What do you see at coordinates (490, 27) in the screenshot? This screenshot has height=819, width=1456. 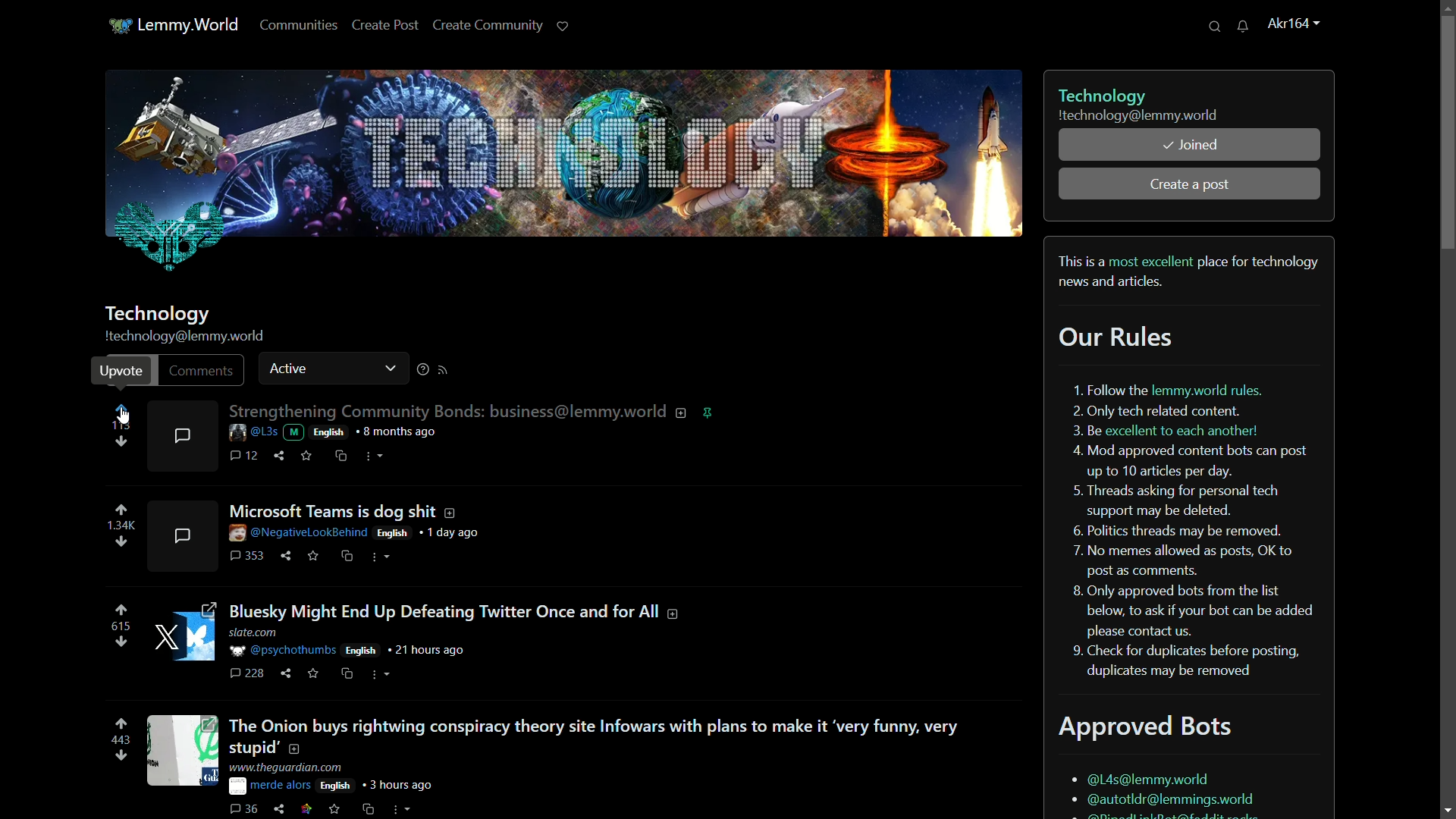 I see `create community` at bounding box center [490, 27].